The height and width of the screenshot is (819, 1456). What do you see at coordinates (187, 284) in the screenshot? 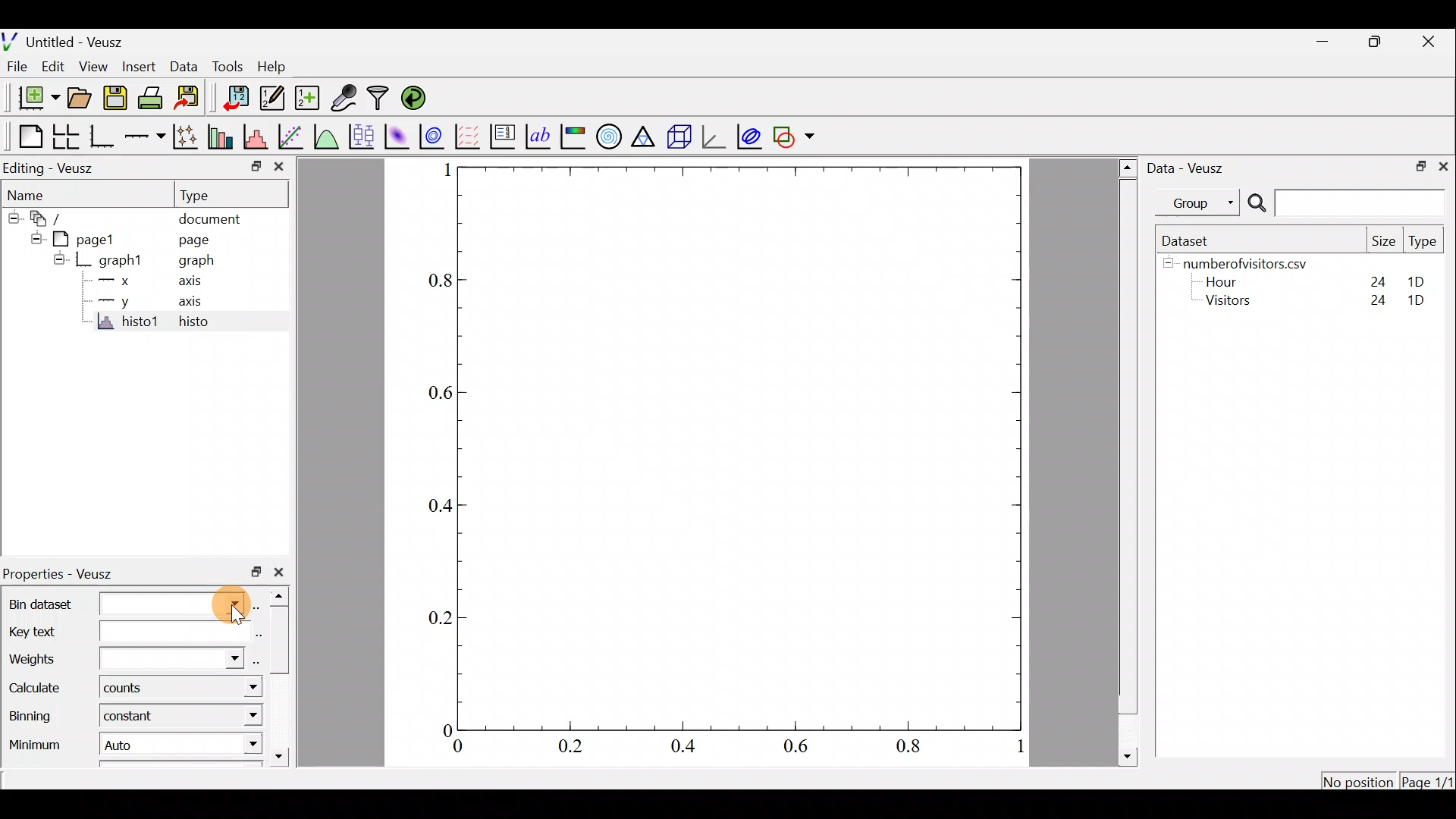
I see `axis` at bounding box center [187, 284].